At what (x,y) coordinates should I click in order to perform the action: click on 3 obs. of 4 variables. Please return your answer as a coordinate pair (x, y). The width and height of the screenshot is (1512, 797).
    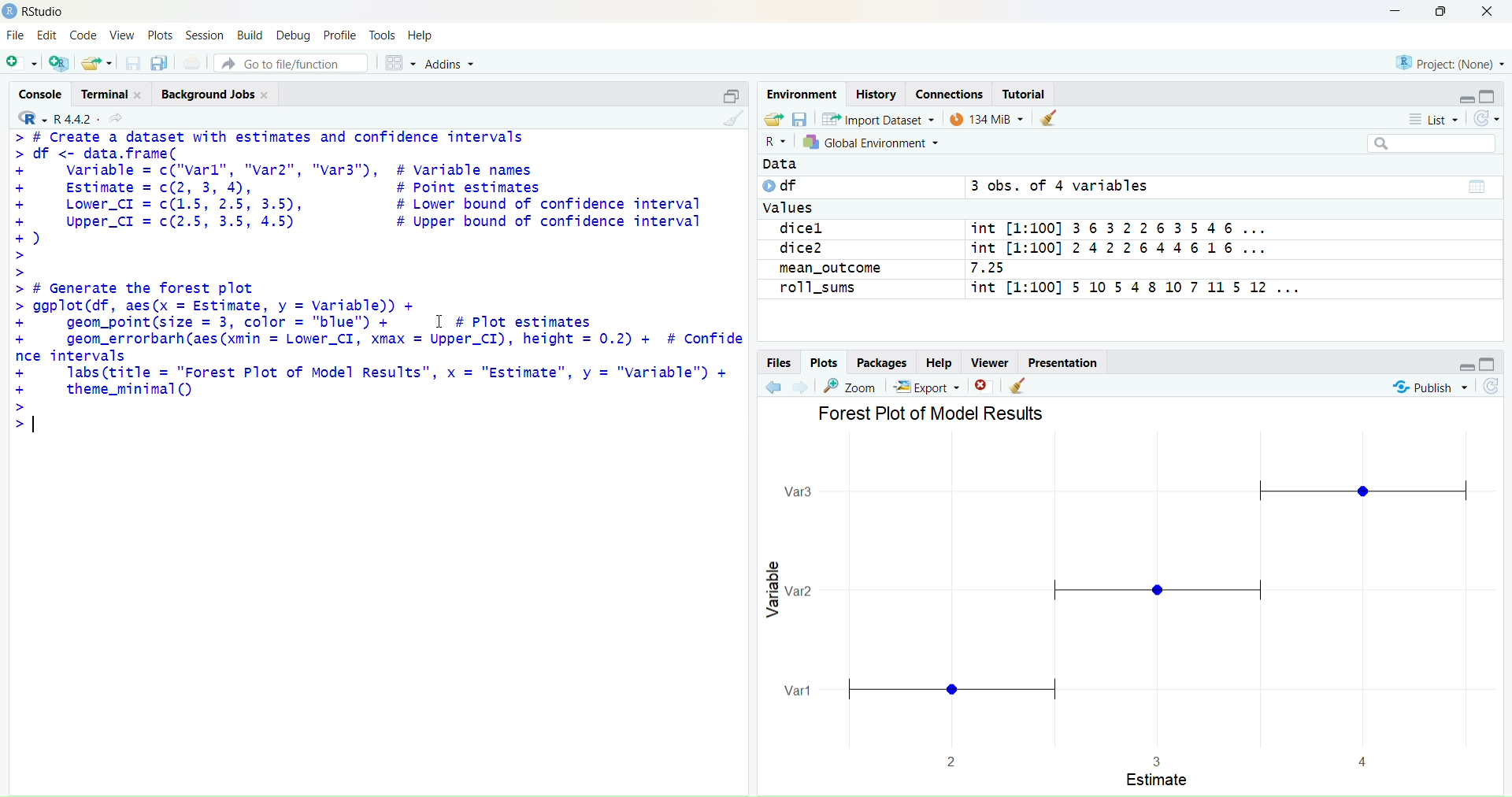
    Looking at the image, I should click on (1065, 186).